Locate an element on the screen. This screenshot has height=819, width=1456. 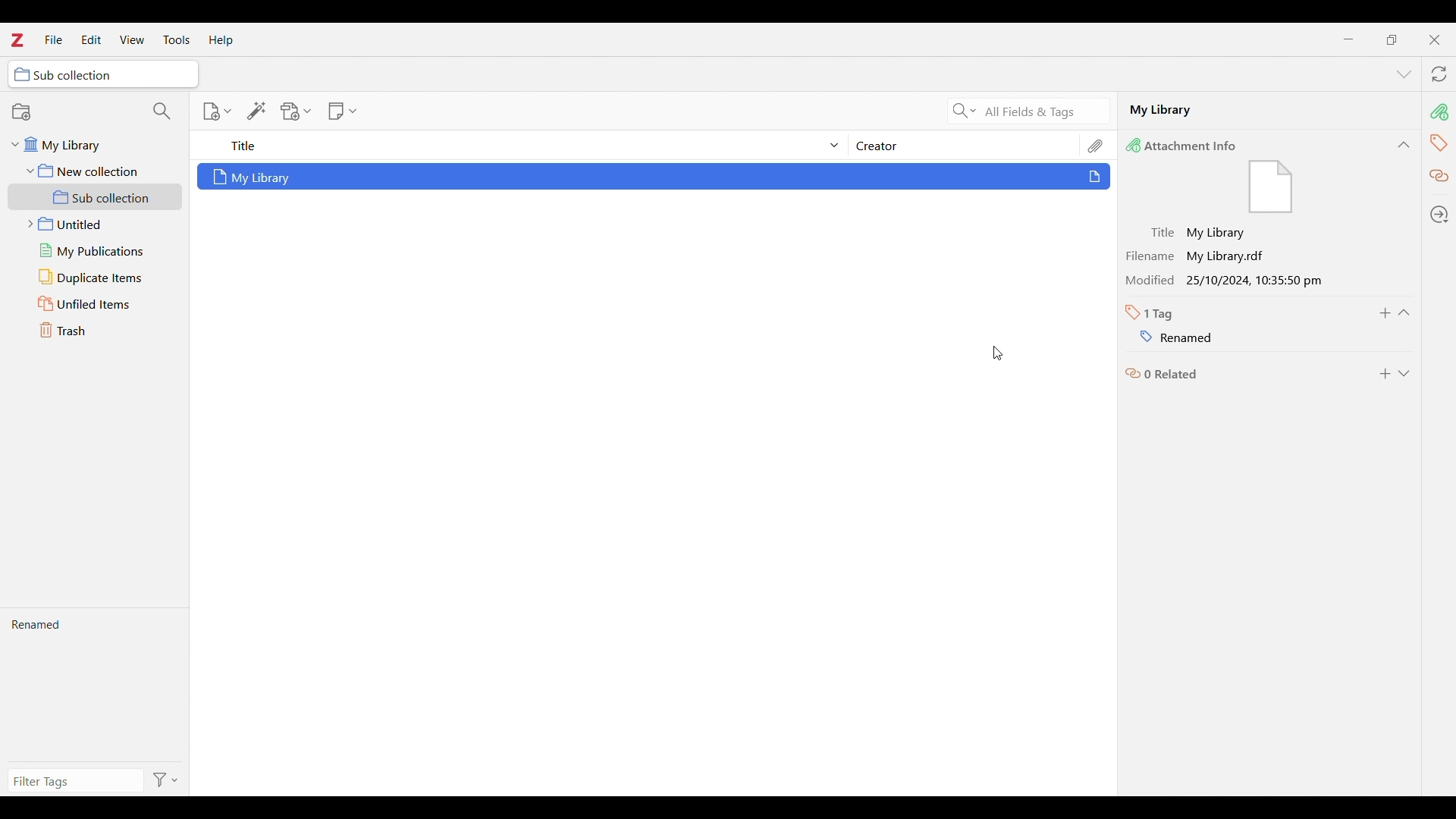
File menu is located at coordinates (53, 39).